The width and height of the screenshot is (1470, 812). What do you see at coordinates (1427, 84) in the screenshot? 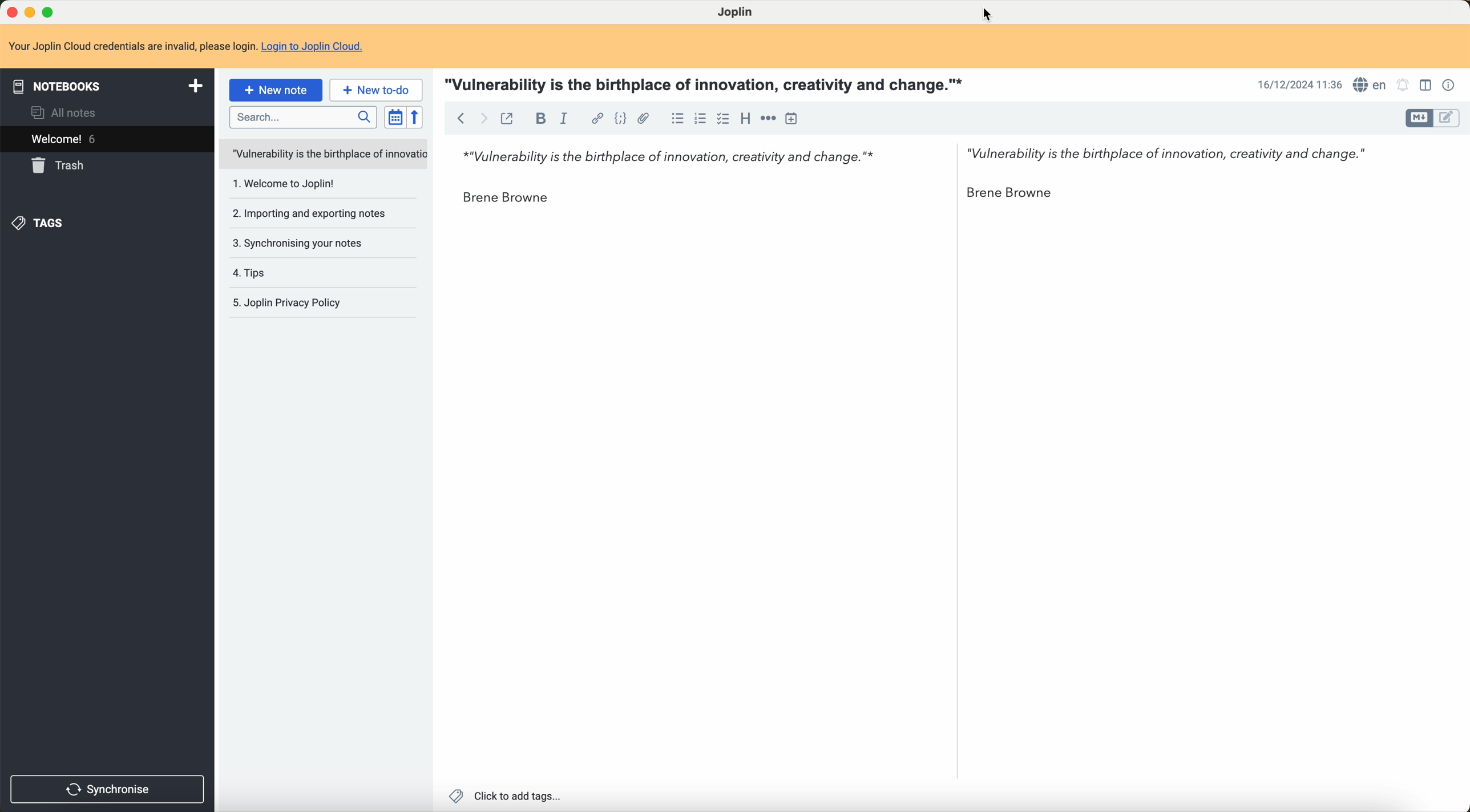
I see `toggle editor layout` at bounding box center [1427, 84].